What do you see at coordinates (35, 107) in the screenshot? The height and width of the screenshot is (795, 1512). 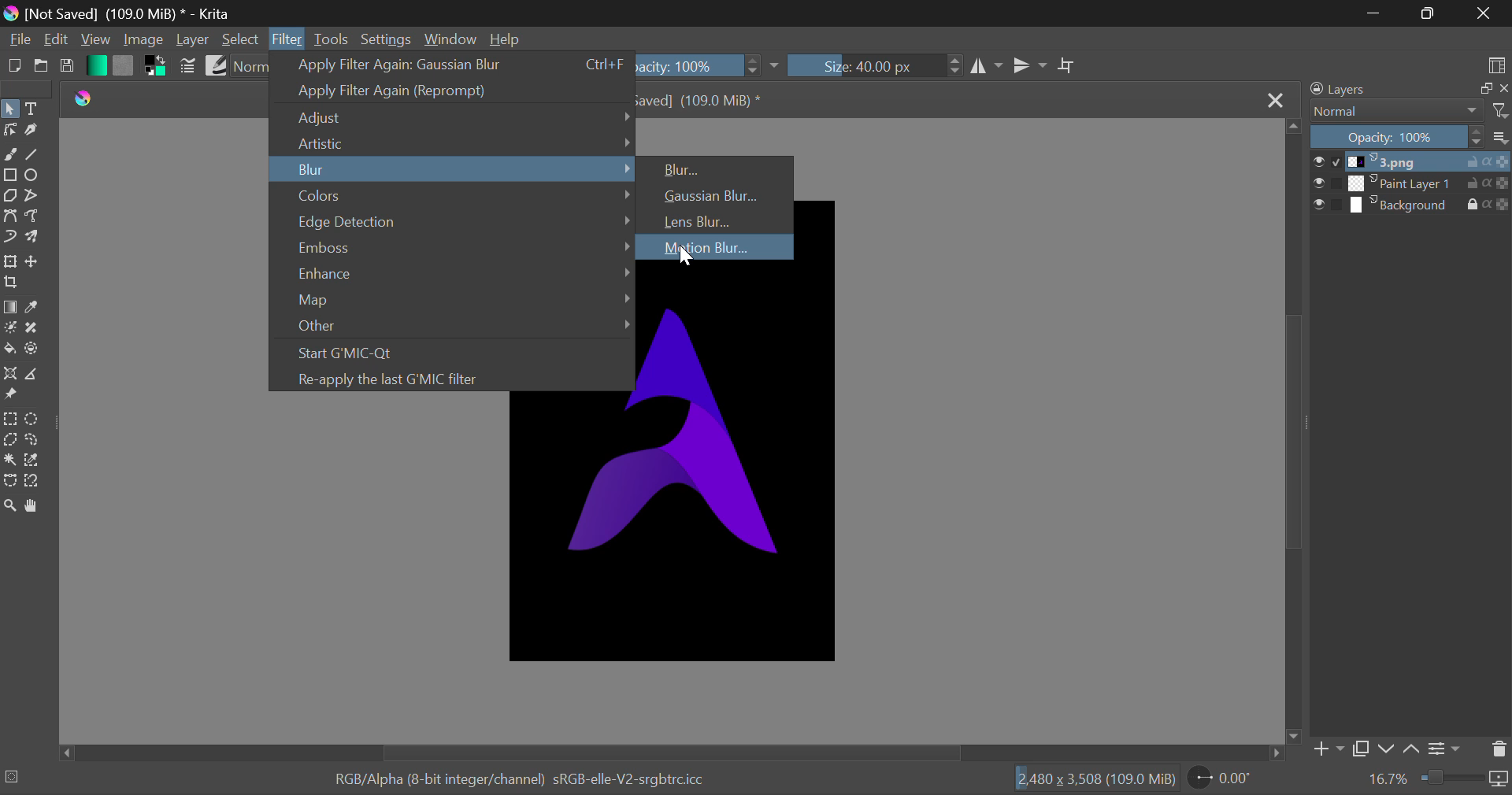 I see `Text` at bounding box center [35, 107].